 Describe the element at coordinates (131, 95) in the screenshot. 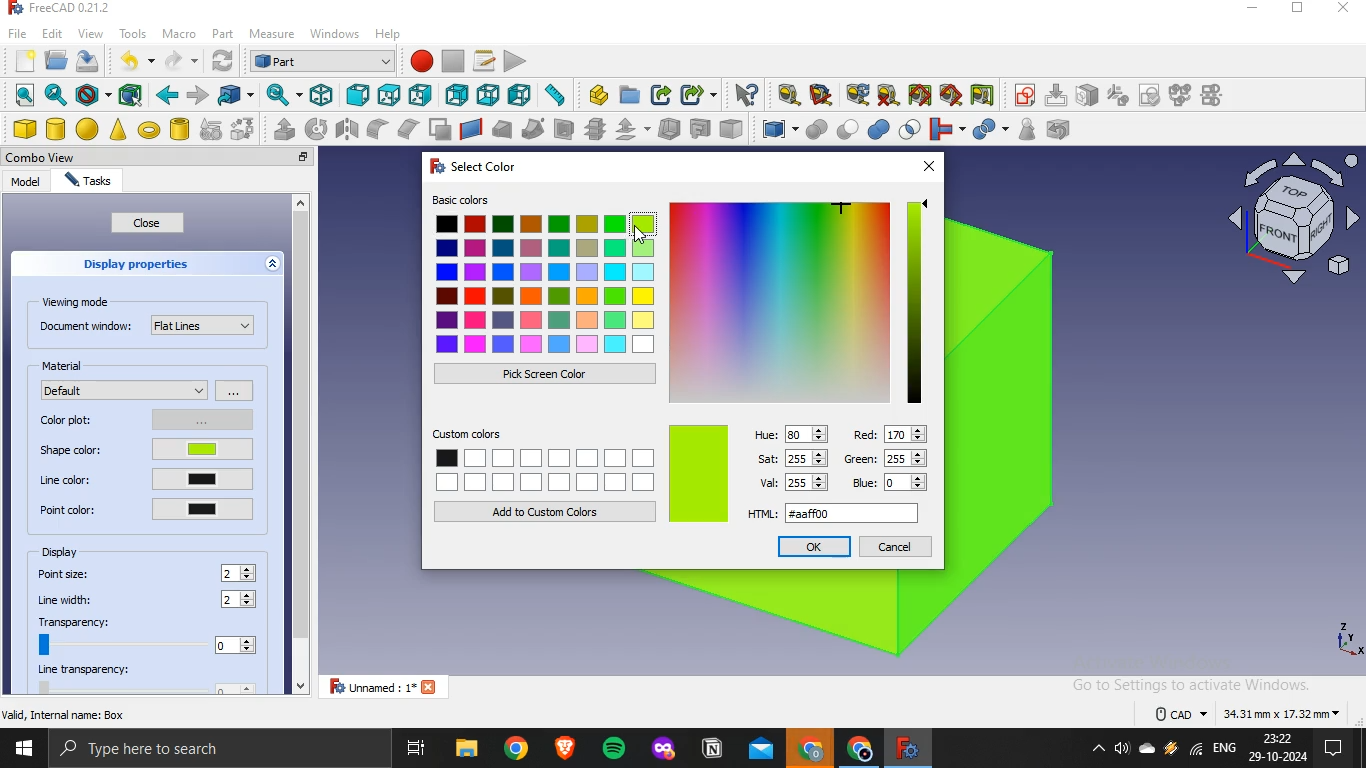

I see `bounding box` at that location.